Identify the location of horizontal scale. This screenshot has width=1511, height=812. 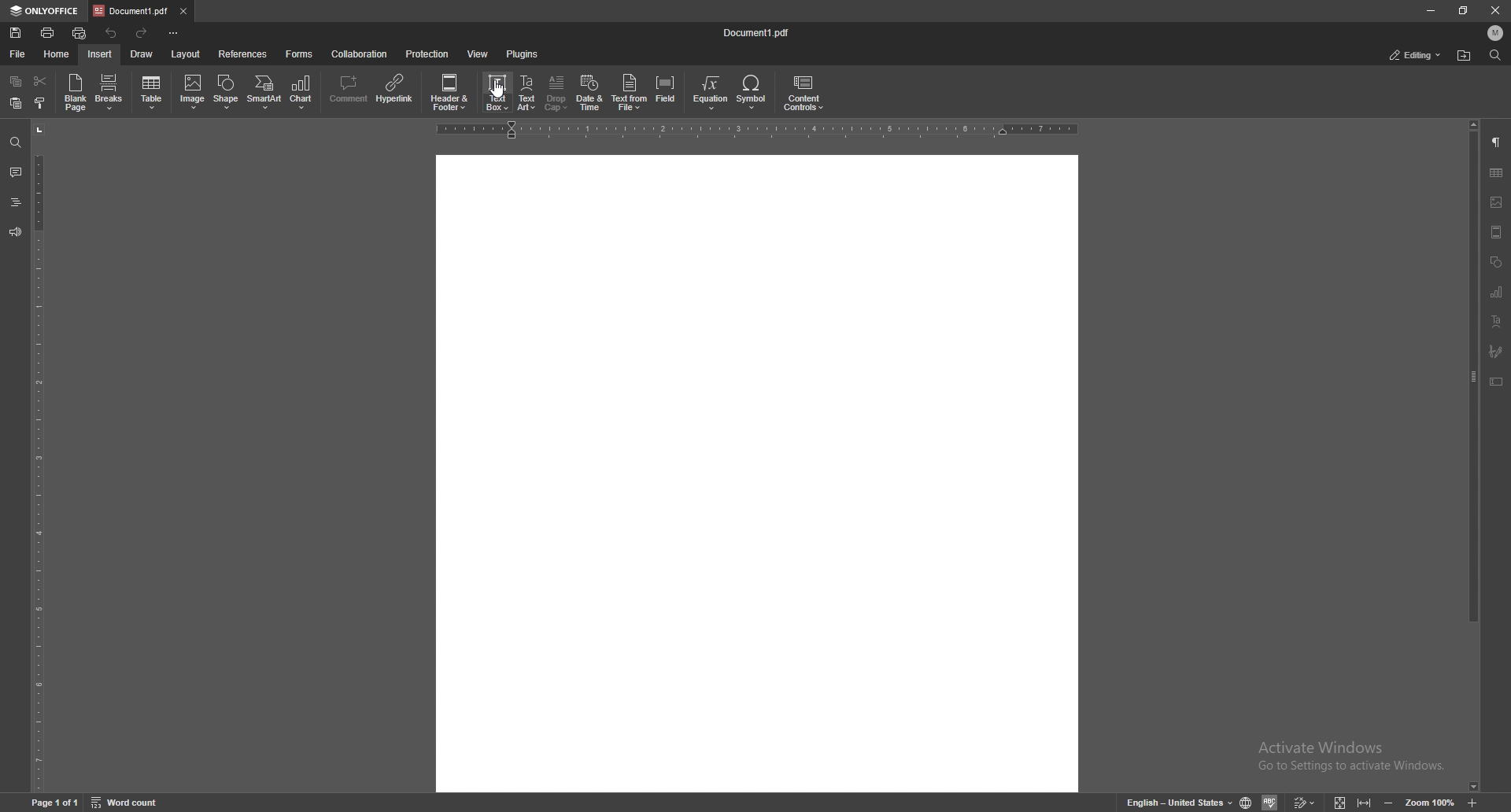
(757, 130).